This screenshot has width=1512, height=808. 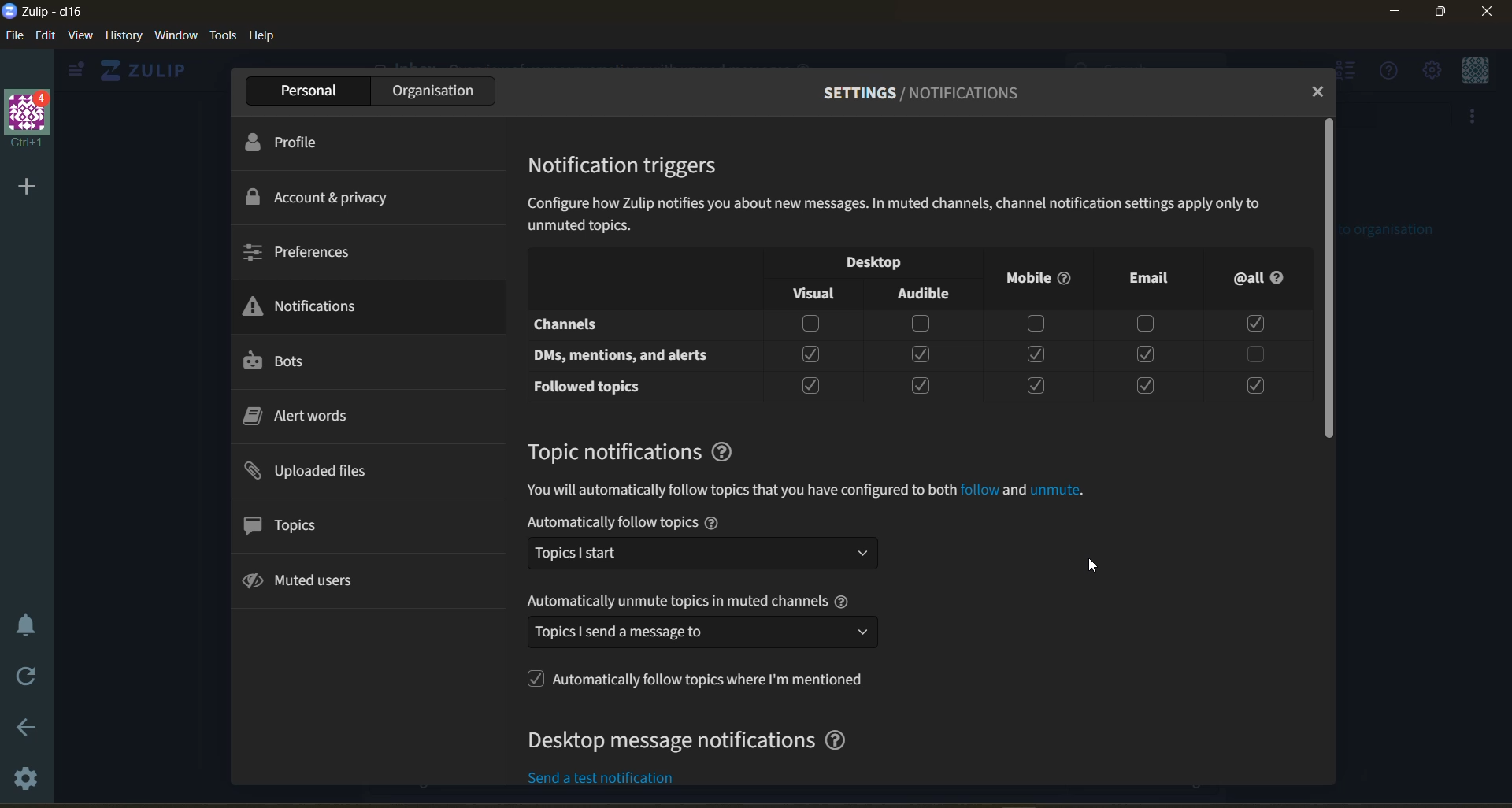 What do you see at coordinates (83, 37) in the screenshot?
I see `view` at bounding box center [83, 37].